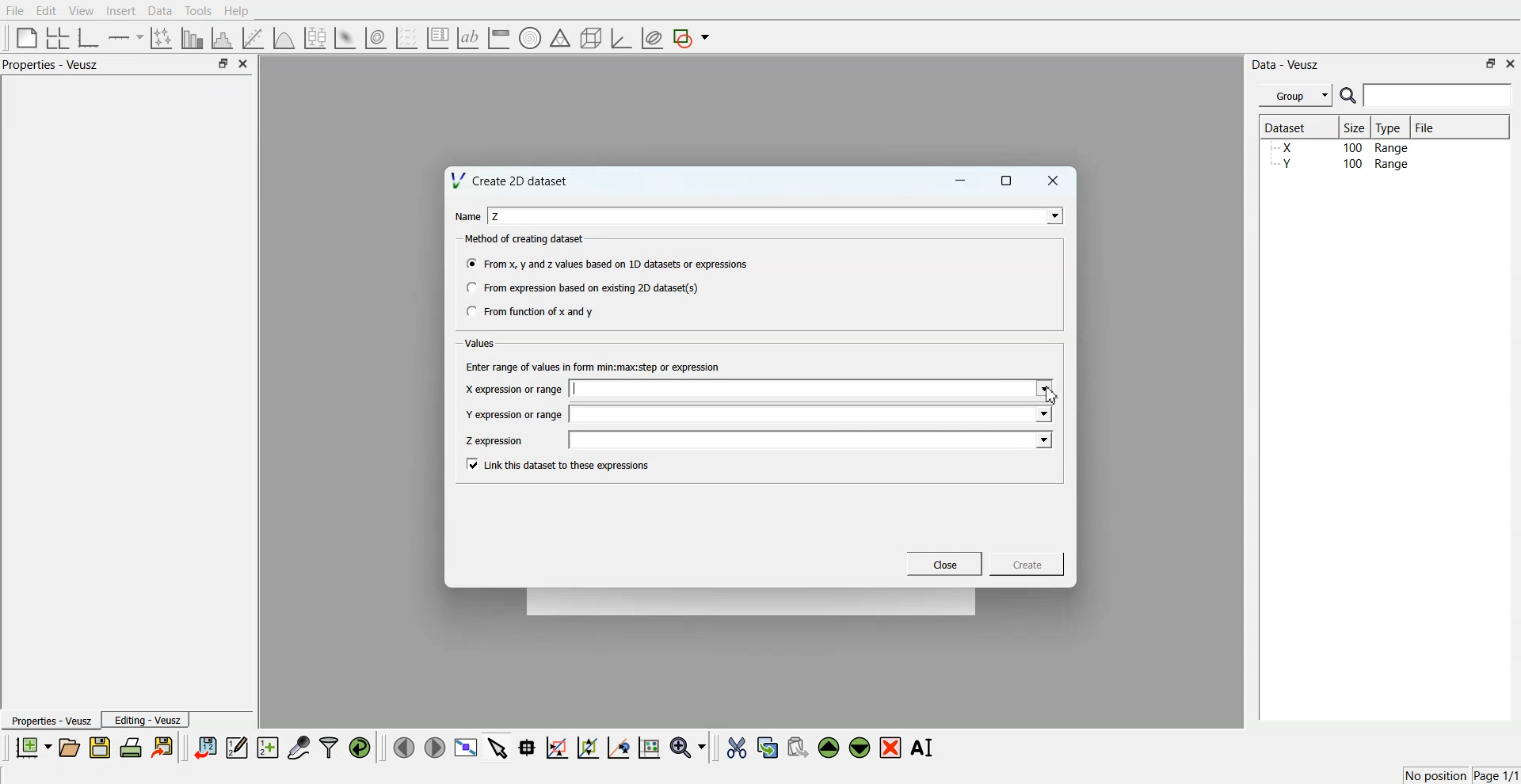 This screenshot has width=1521, height=784. Describe the element at coordinates (798, 746) in the screenshot. I see `Paste widget from the clipboard` at that location.